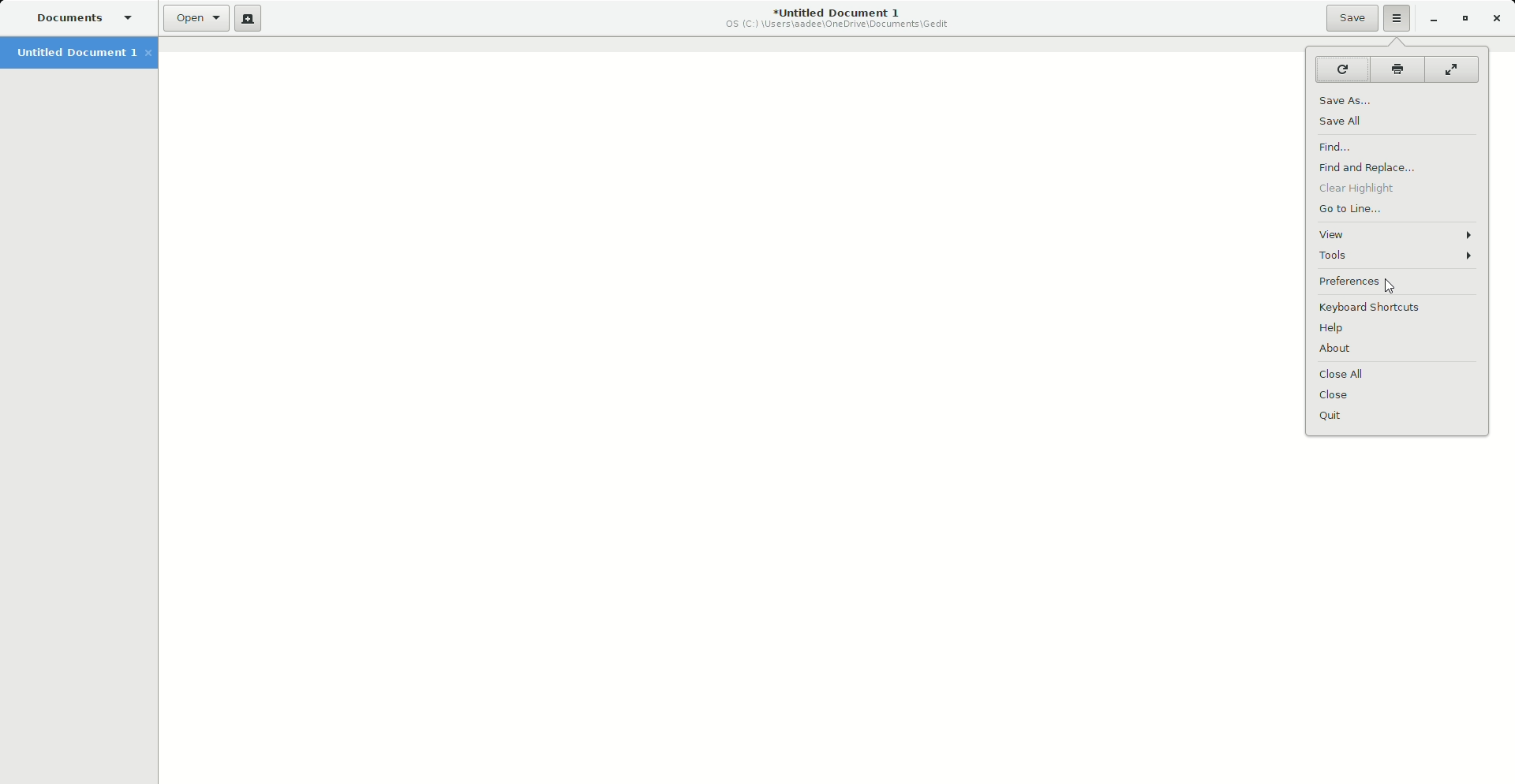 The height and width of the screenshot is (784, 1515). What do you see at coordinates (77, 17) in the screenshot?
I see `Documents` at bounding box center [77, 17].